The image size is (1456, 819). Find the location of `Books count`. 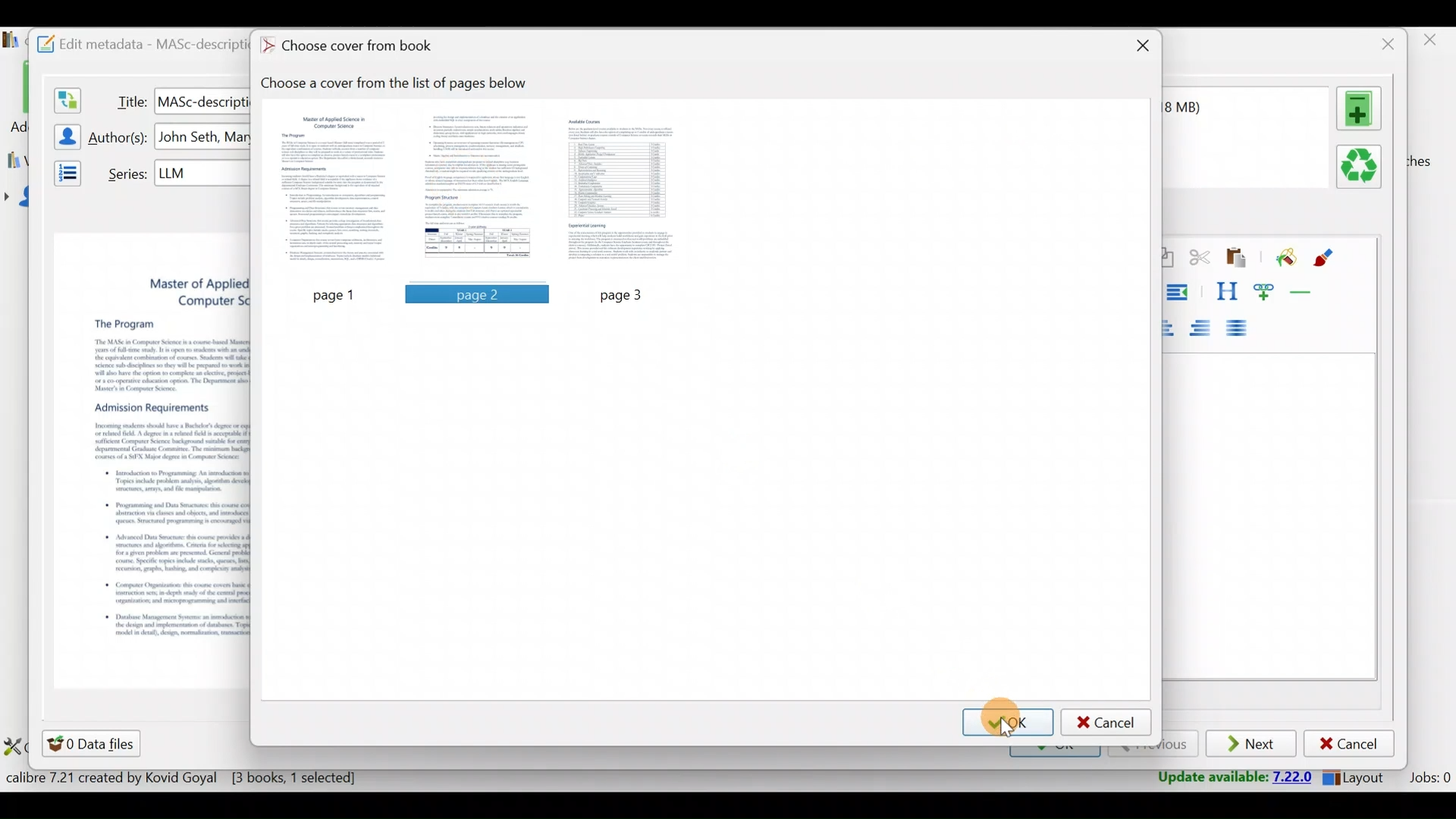

Books count is located at coordinates (185, 780).